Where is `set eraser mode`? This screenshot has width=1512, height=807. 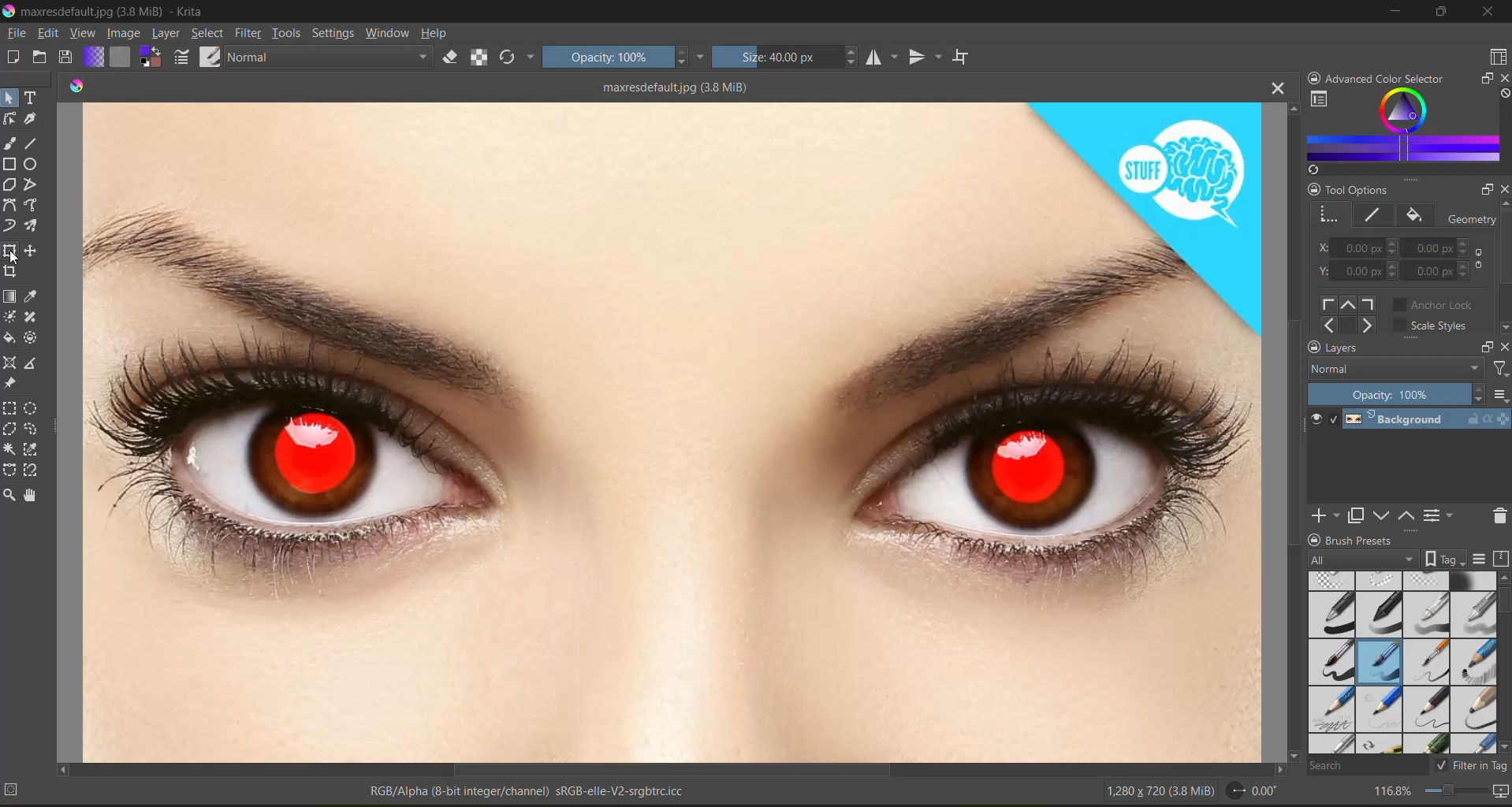 set eraser mode is located at coordinates (455, 57).